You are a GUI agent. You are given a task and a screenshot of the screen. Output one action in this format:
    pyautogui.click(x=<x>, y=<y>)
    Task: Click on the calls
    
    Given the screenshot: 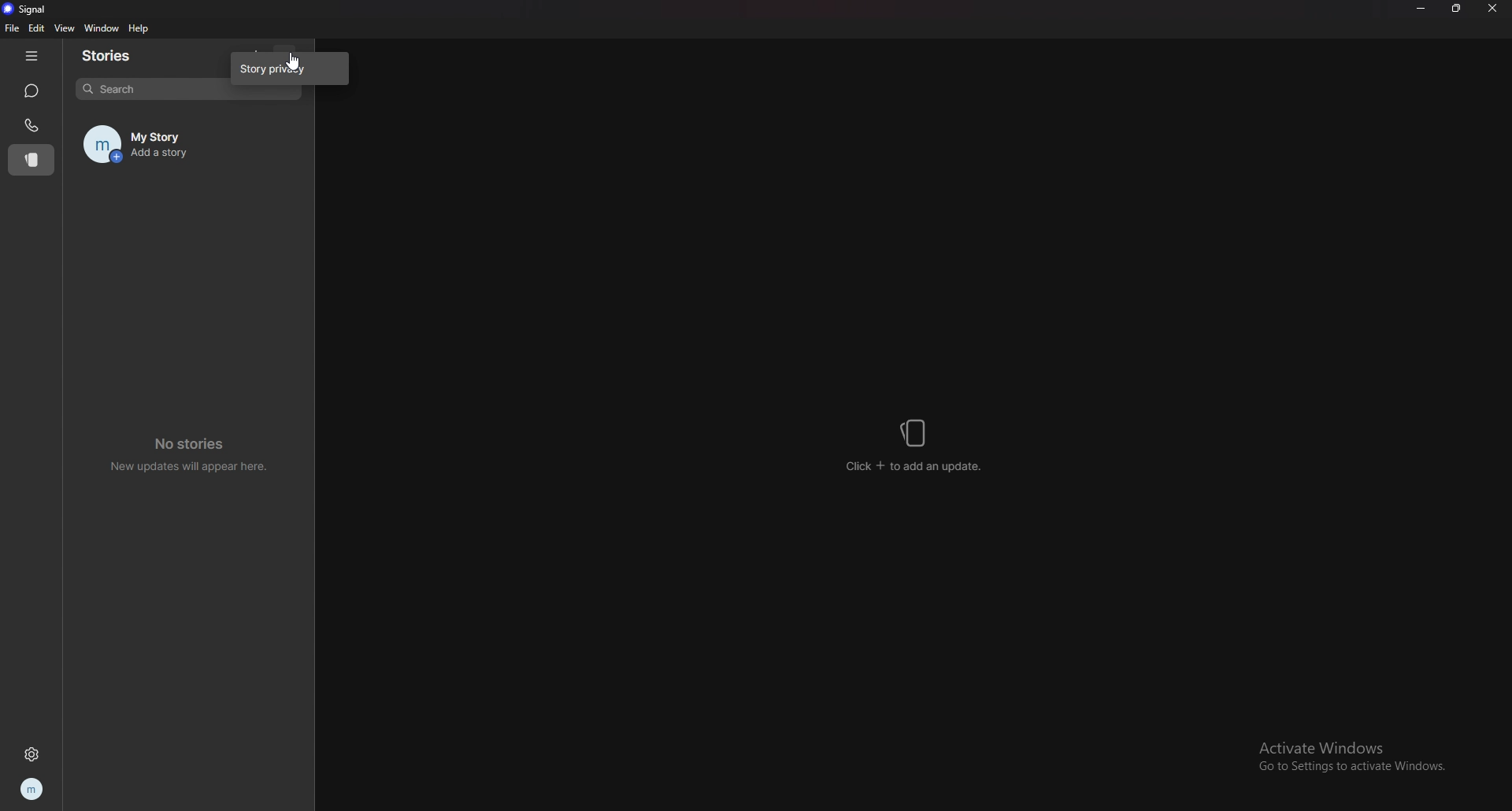 What is the action you would take?
    pyautogui.click(x=34, y=124)
    